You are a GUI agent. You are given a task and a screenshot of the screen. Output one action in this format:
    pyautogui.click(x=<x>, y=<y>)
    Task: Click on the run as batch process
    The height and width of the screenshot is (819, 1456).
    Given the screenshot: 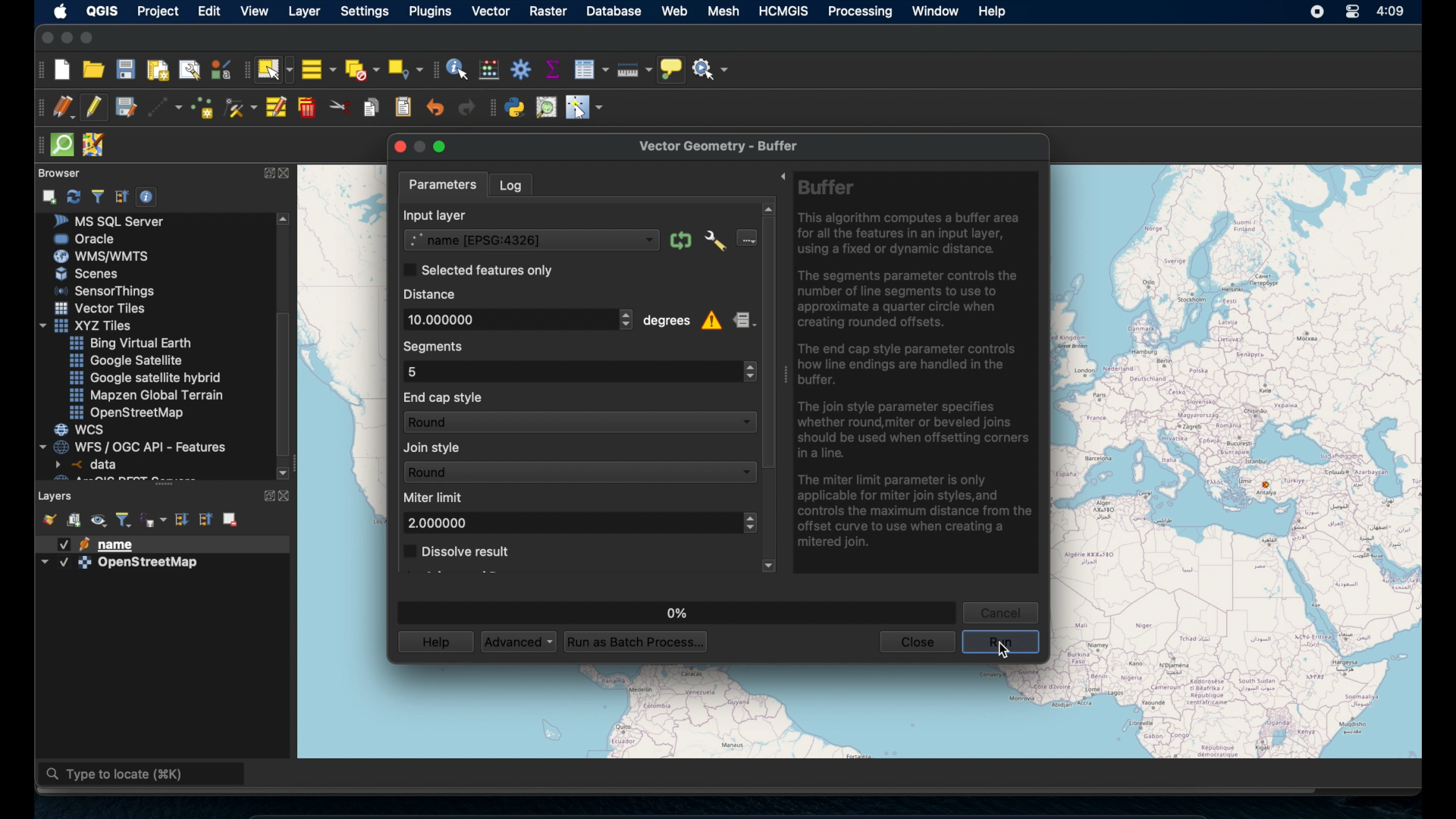 What is the action you would take?
    pyautogui.click(x=636, y=642)
    